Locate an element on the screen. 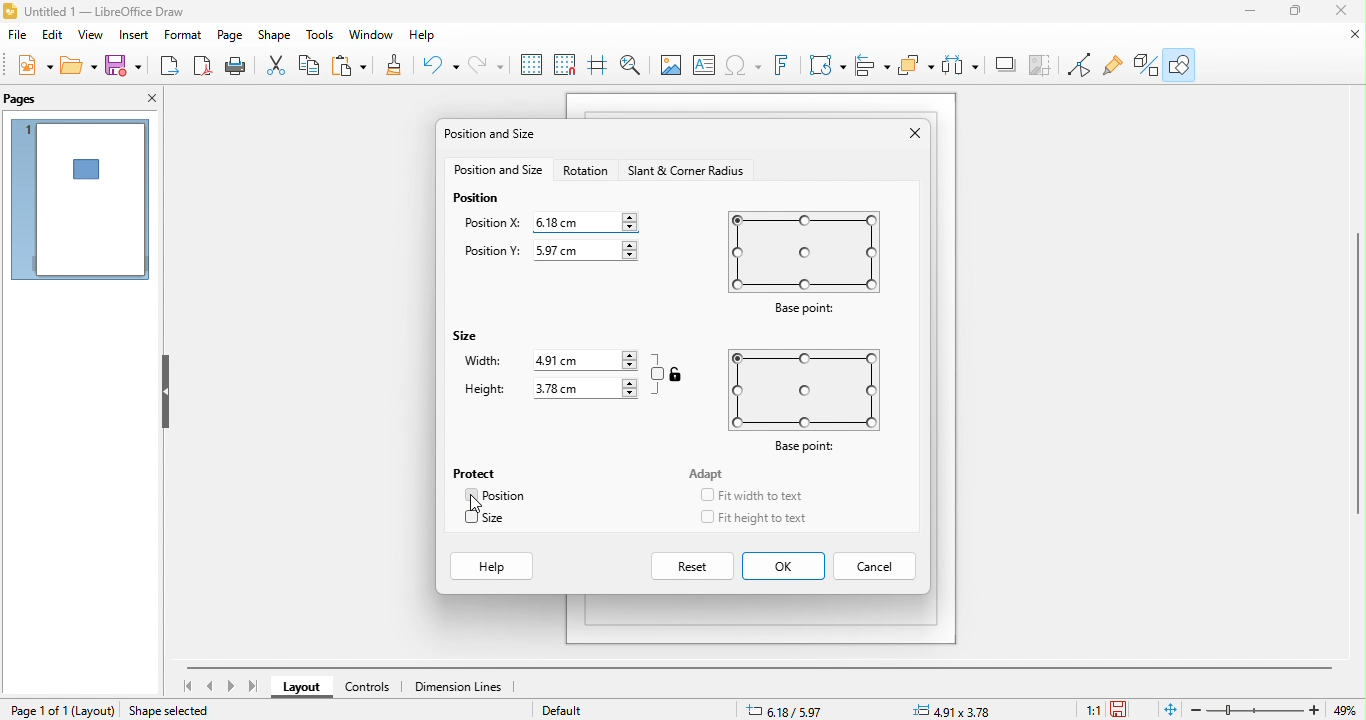  5.97 cm is located at coordinates (585, 250).